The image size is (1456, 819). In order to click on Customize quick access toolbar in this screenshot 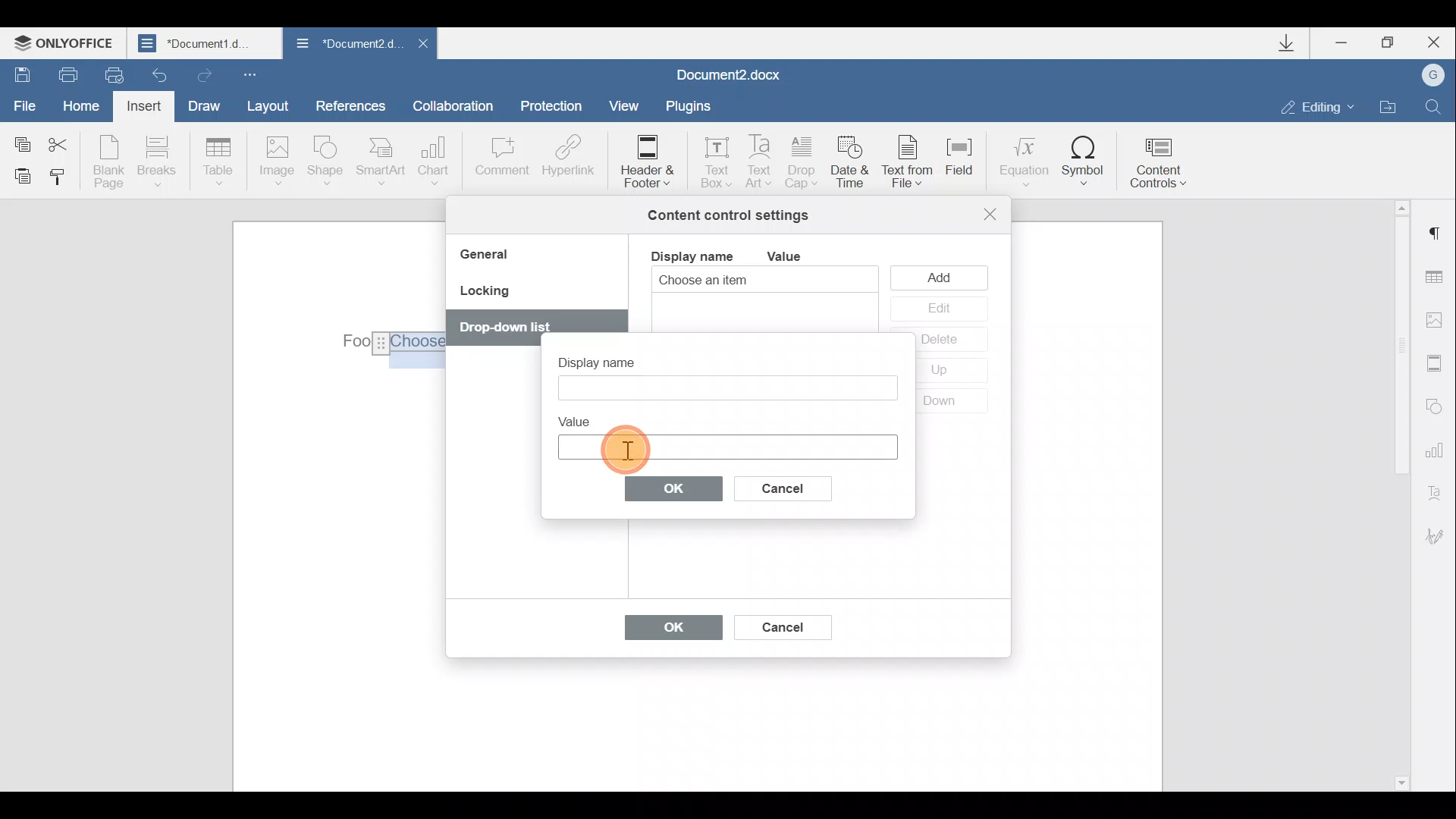, I will do `click(253, 74)`.